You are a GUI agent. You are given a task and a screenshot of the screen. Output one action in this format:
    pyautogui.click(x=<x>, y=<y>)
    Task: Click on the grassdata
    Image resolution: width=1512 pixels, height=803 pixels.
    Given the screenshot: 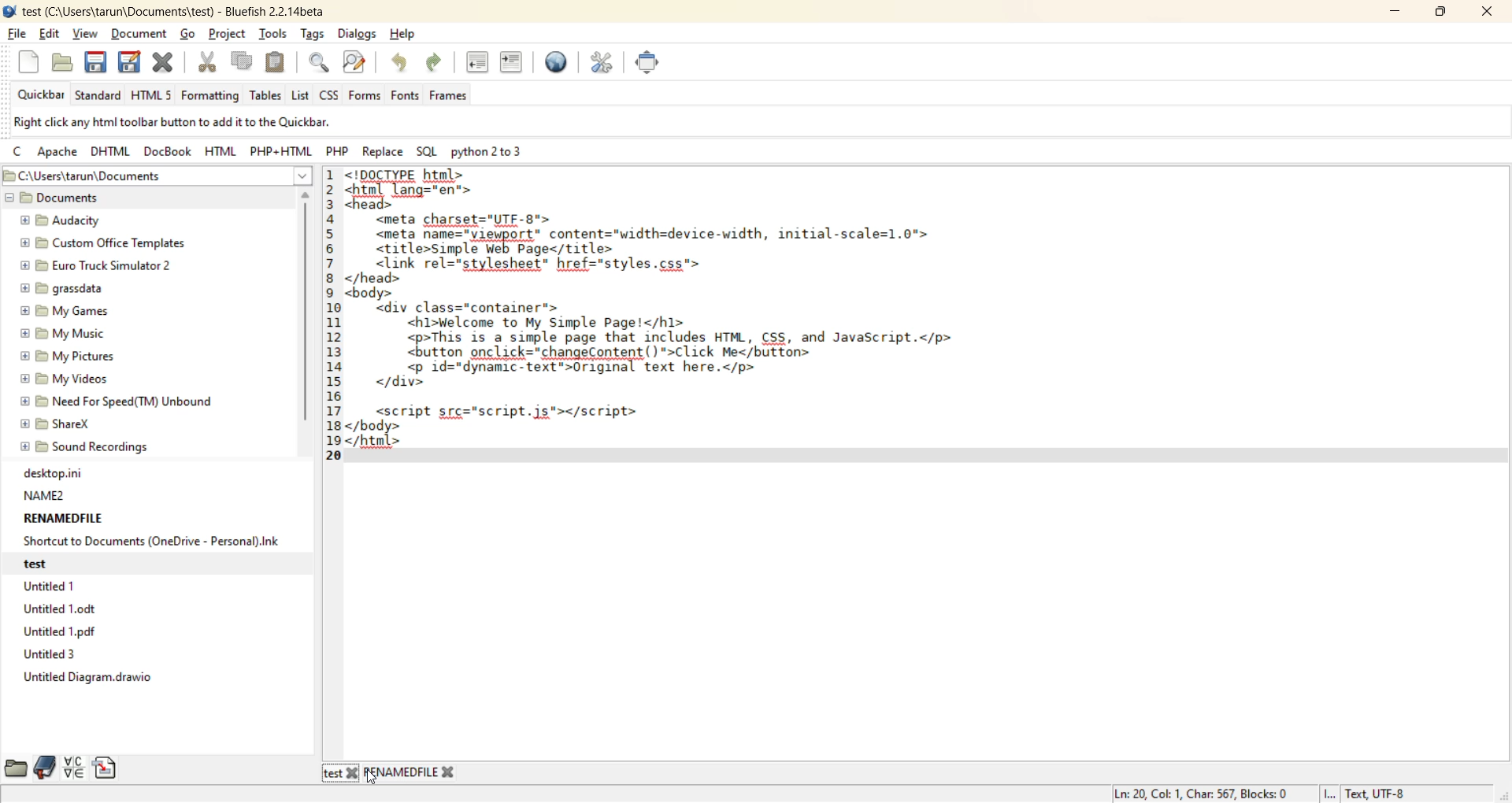 What is the action you would take?
    pyautogui.click(x=65, y=290)
    